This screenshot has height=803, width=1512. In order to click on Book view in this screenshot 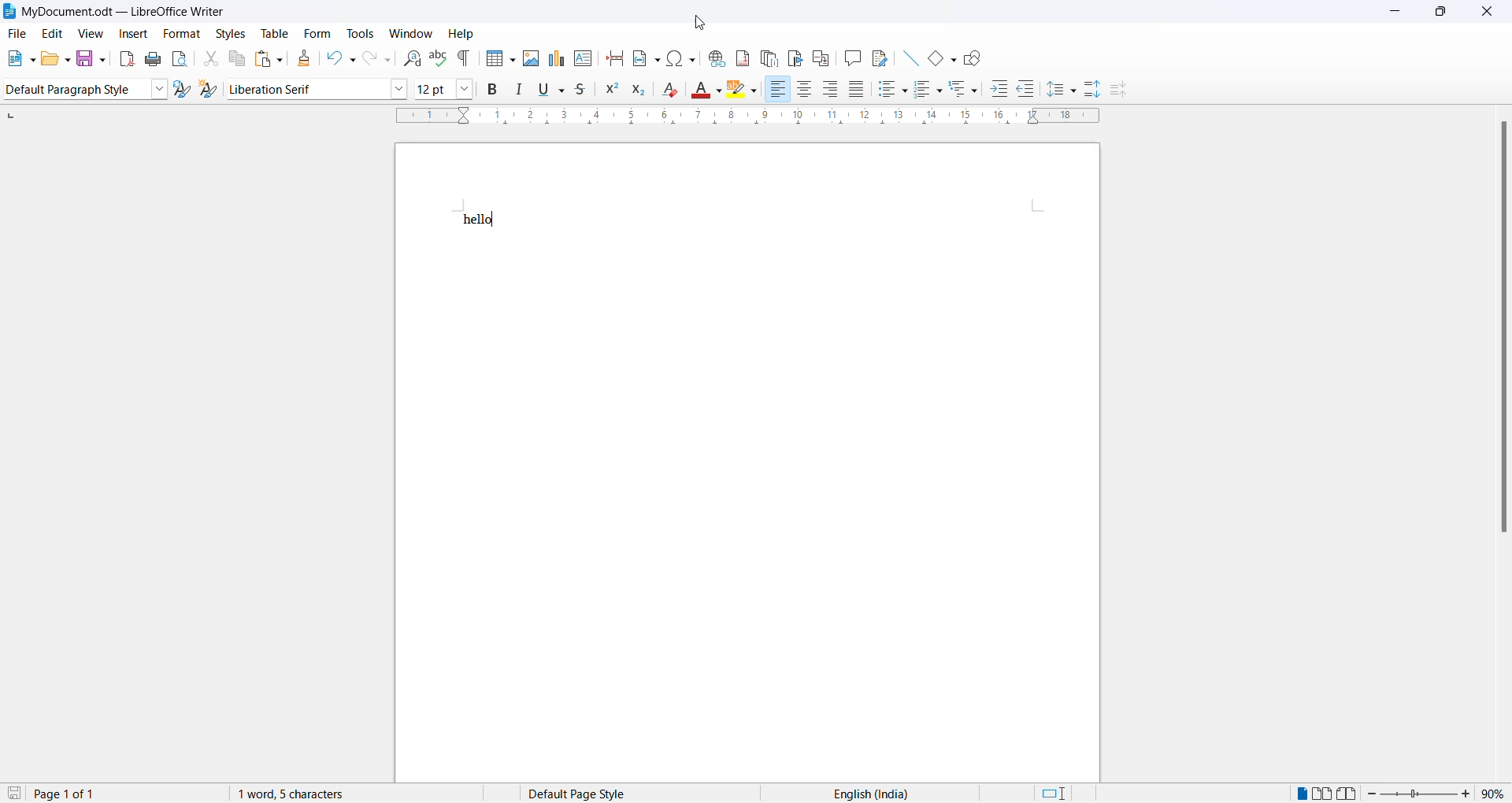, I will do `click(1349, 793)`.